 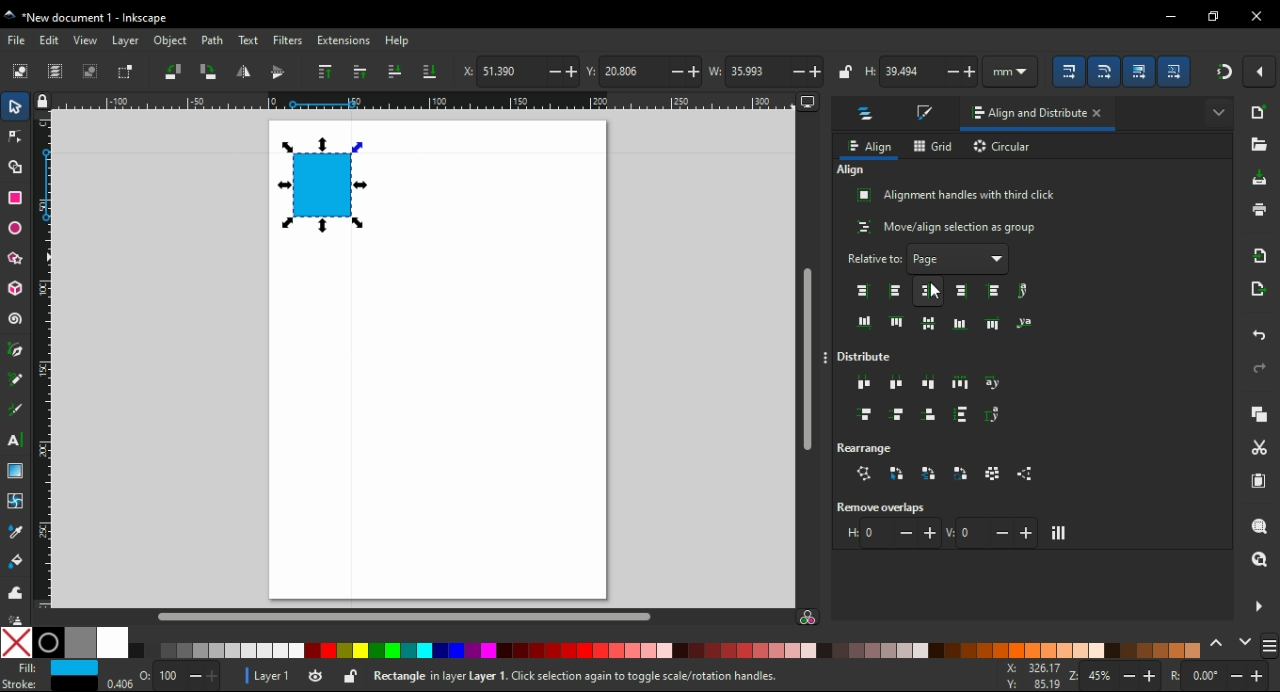 I want to click on show, so click(x=1218, y=110).